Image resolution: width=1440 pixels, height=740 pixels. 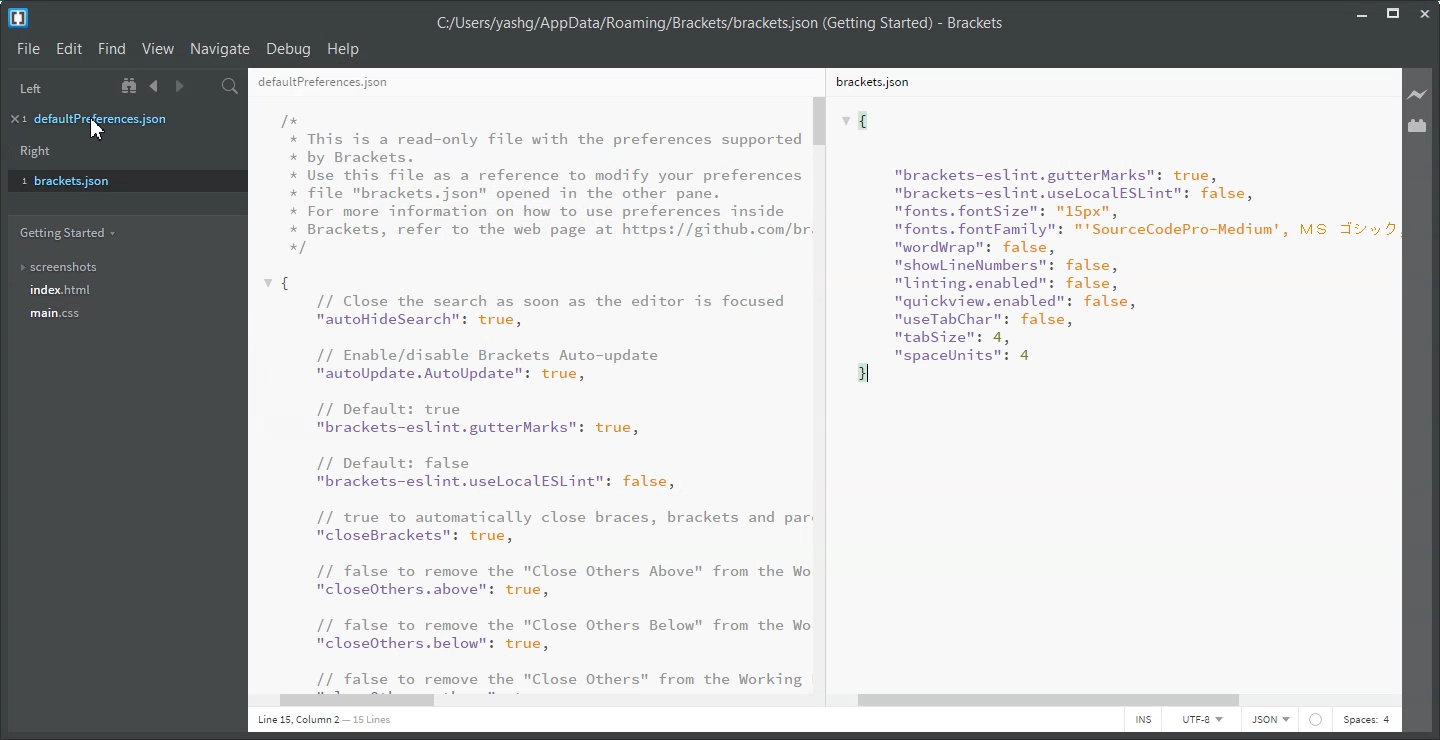 What do you see at coordinates (220, 48) in the screenshot?
I see `Navigate` at bounding box center [220, 48].